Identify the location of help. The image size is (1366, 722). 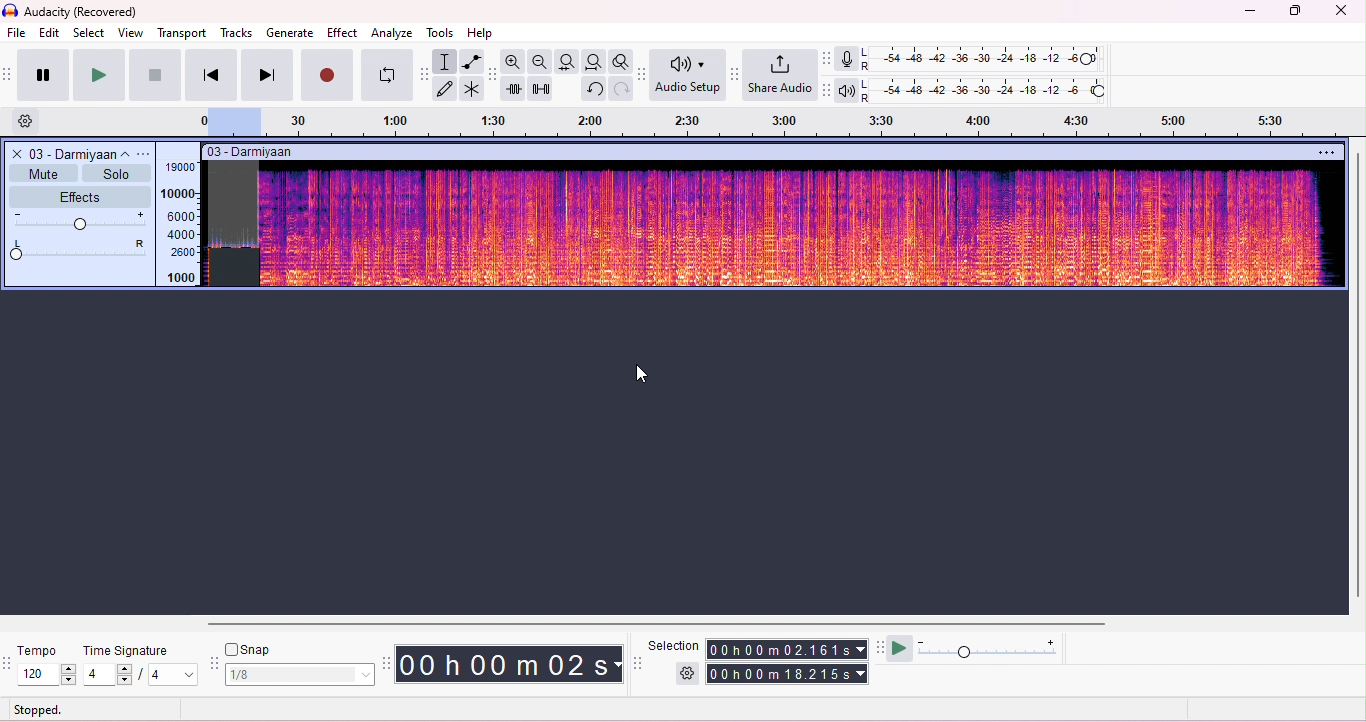
(482, 32).